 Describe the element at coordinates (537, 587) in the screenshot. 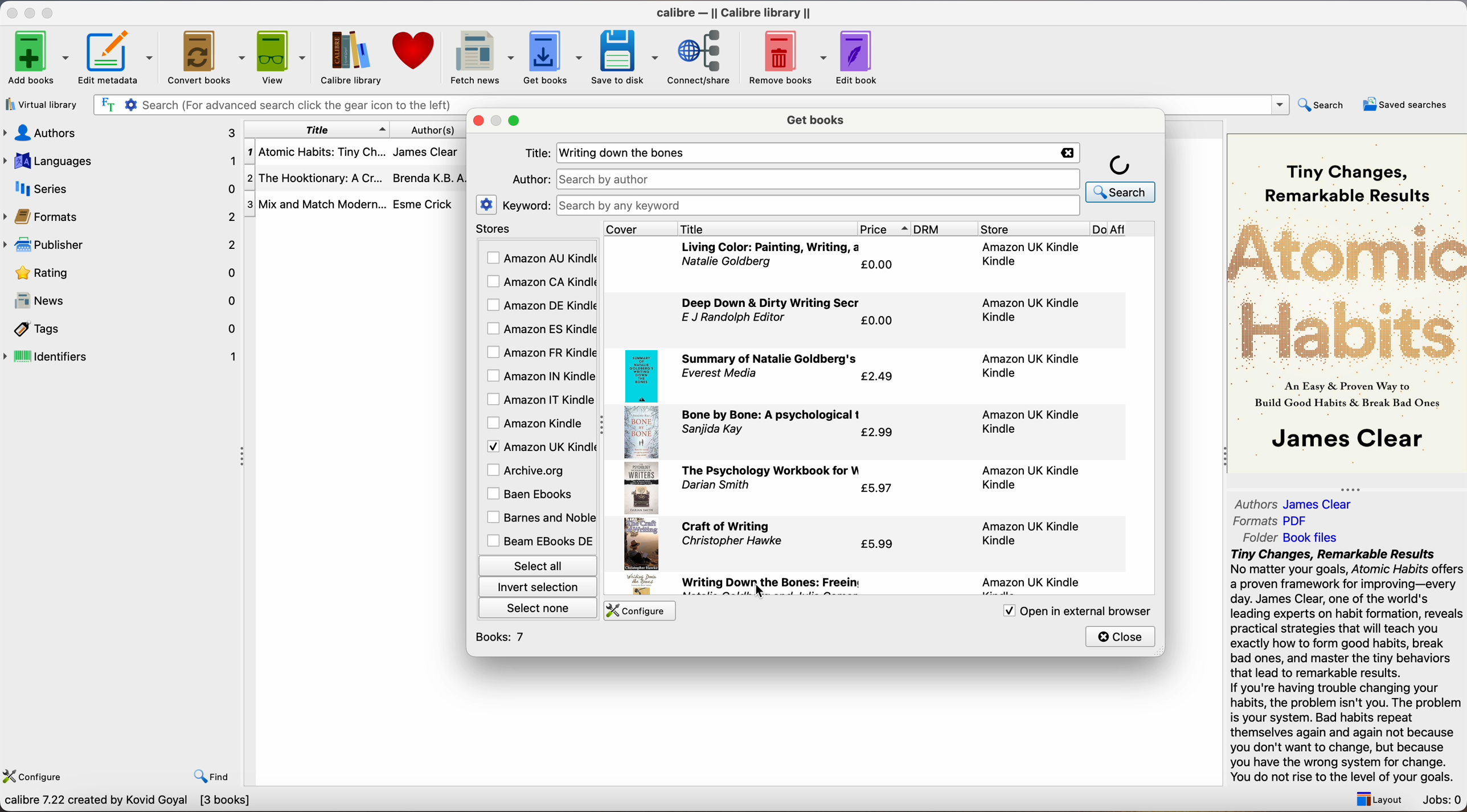

I see `invert selection` at that location.